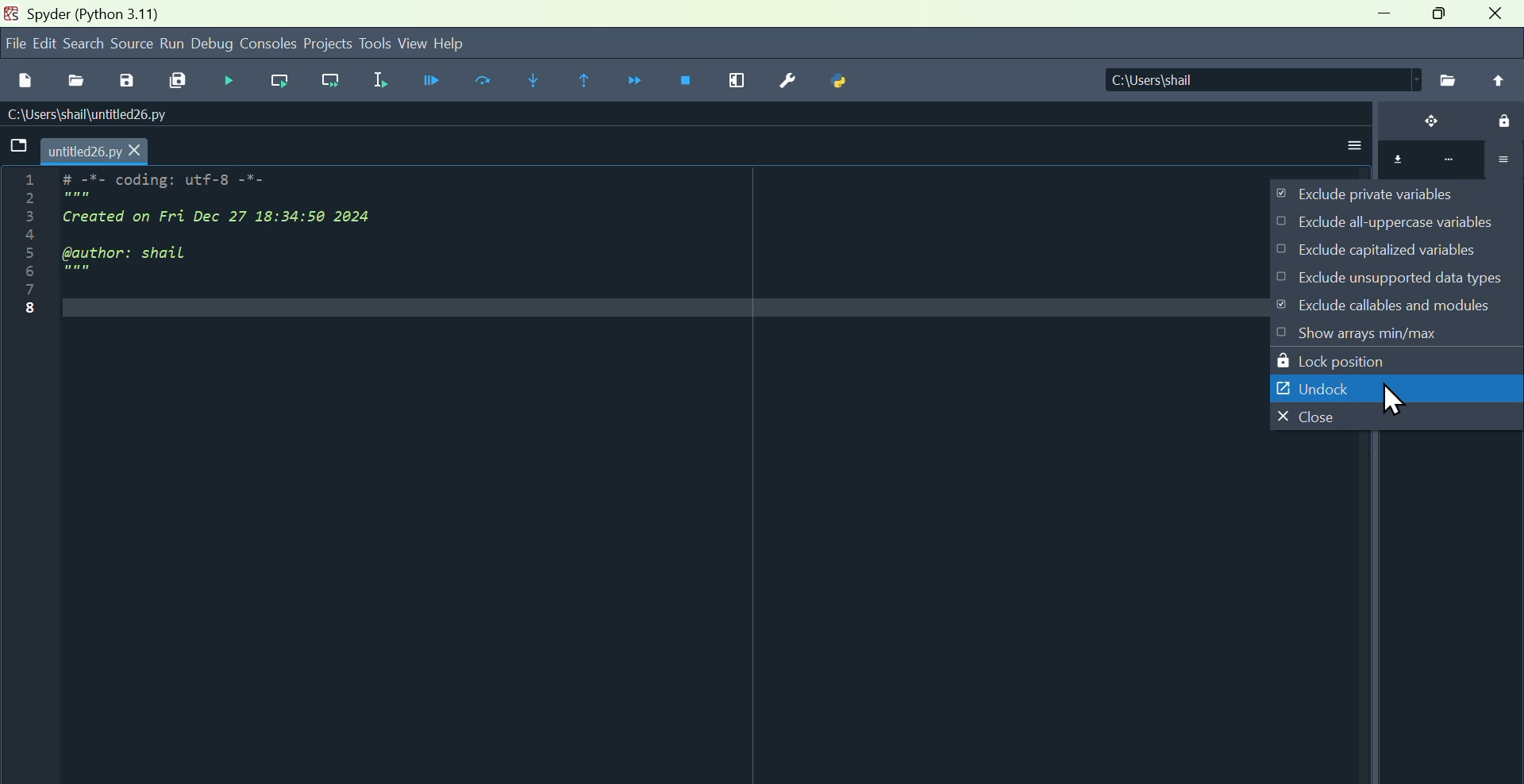  Describe the element at coordinates (329, 42) in the screenshot. I see `Projects` at that location.